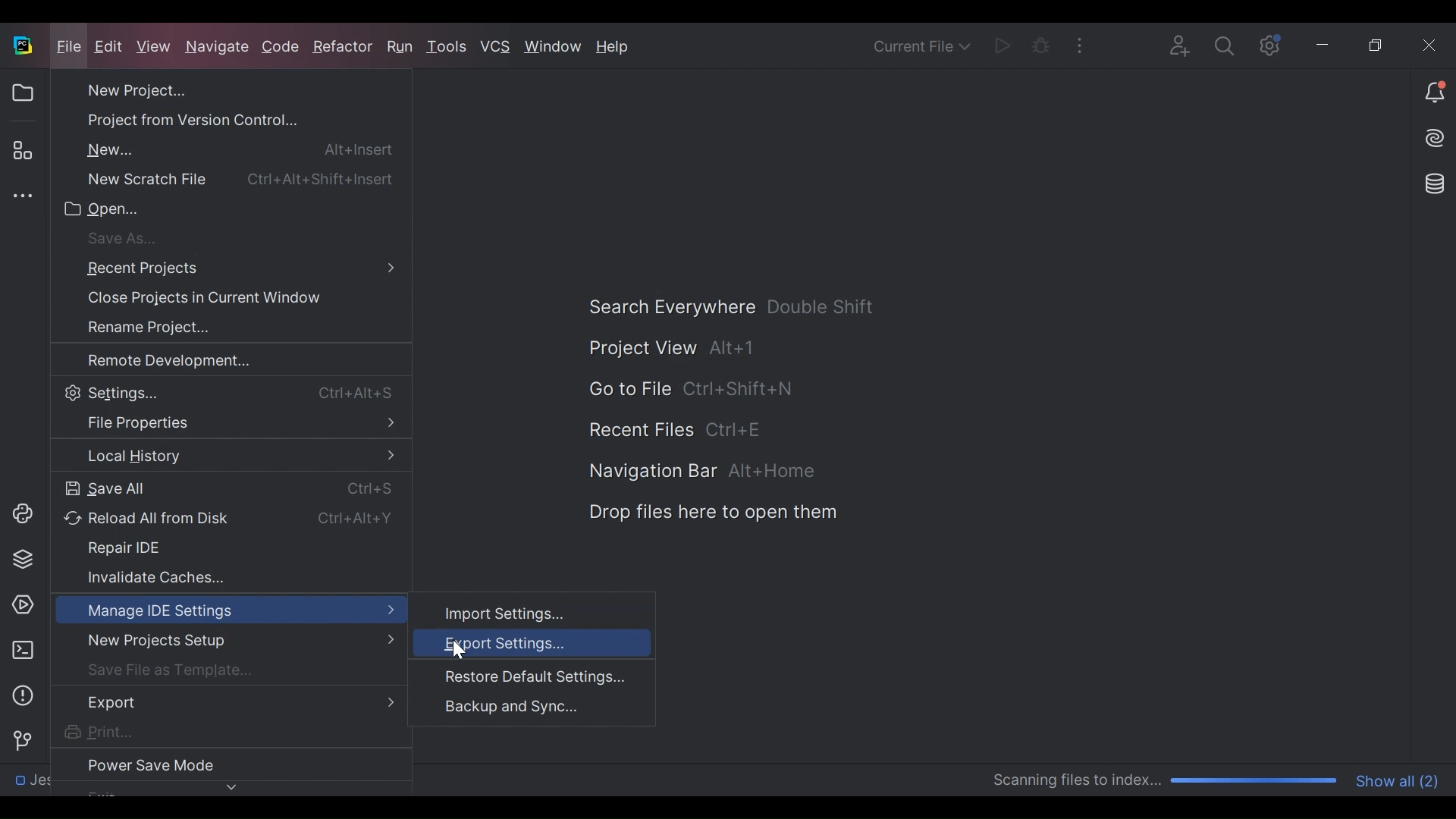 The height and width of the screenshot is (819, 1456). I want to click on VCS, so click(496, 48).